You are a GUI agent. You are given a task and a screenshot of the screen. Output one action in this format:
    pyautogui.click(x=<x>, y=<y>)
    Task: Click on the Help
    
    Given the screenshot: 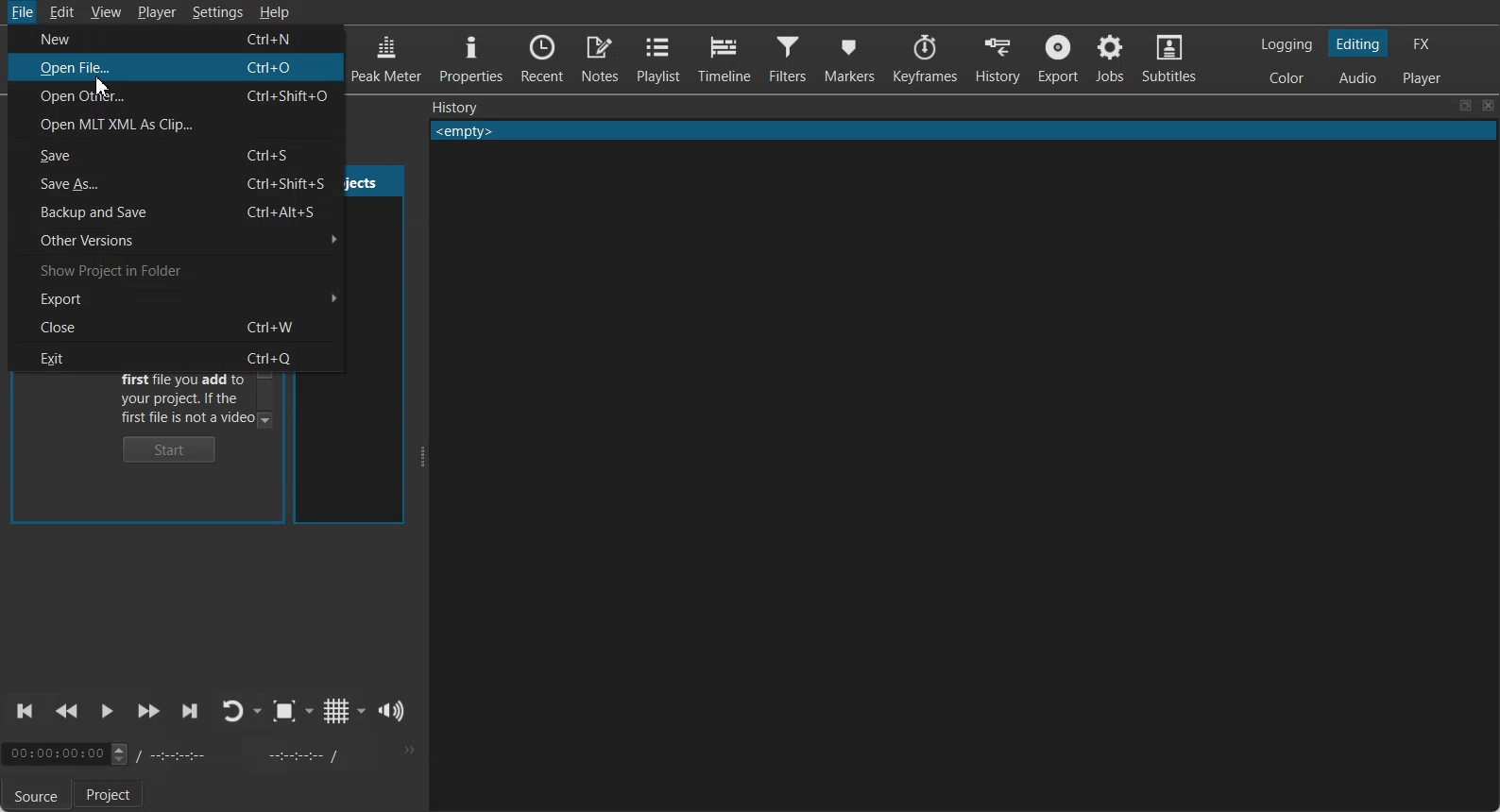 What is the action you would take?
    pyautogui.click(x=274, y=11)
    